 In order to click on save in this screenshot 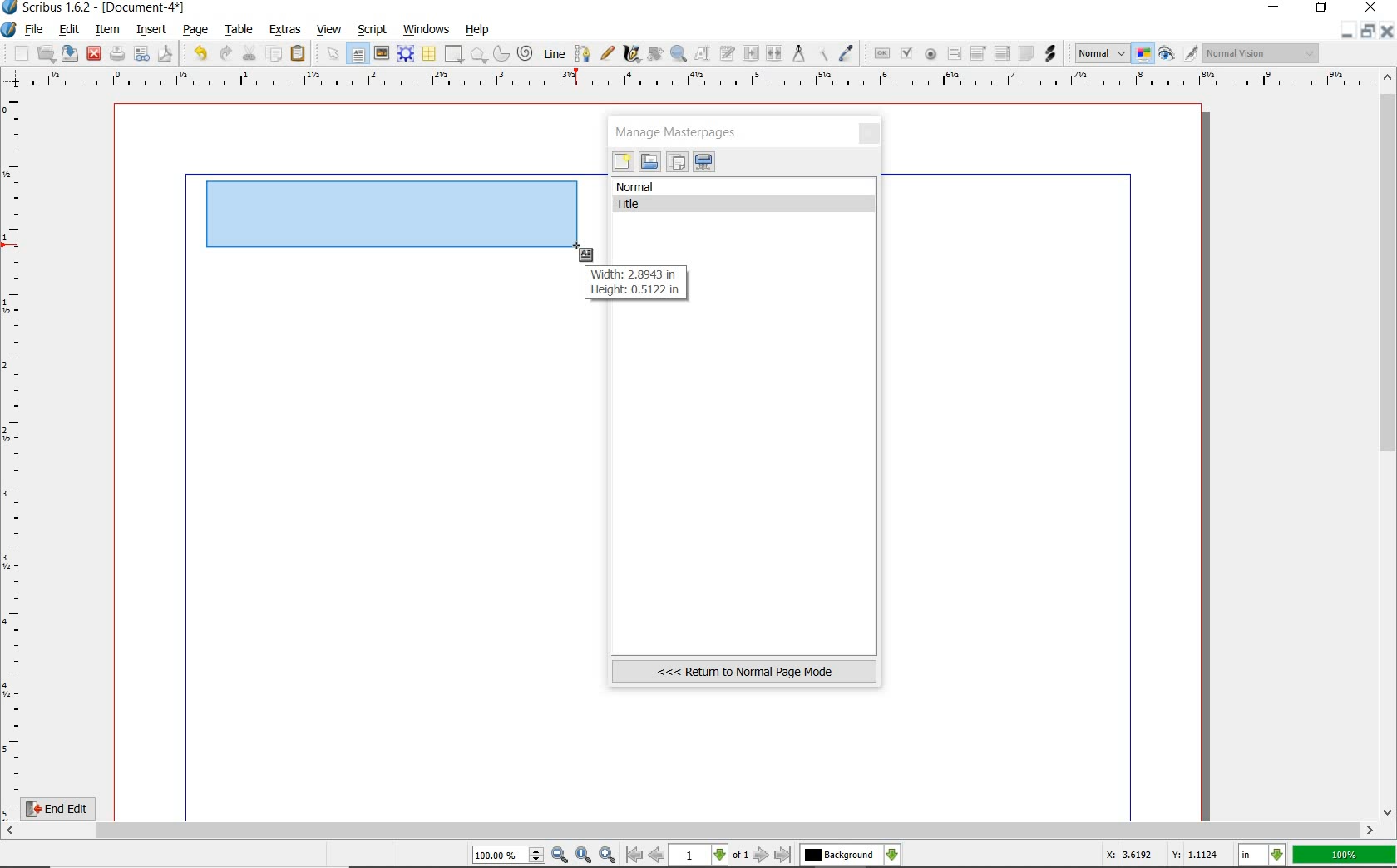, I will do `click(71, 53)`.